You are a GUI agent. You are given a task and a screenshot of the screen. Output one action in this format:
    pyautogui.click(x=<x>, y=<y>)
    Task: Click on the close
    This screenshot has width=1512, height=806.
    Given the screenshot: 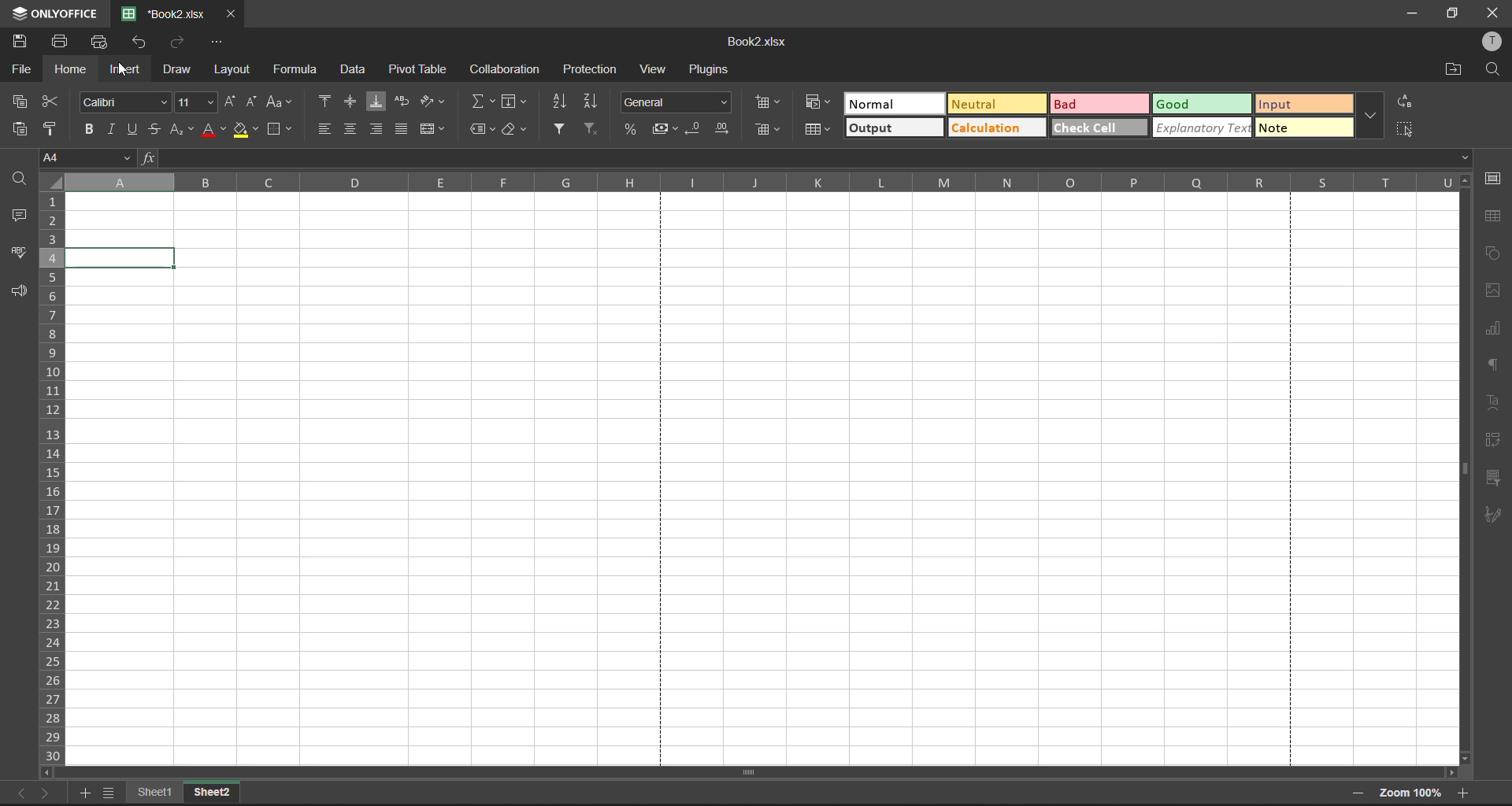 What is the action you would take?
    pyautogui.click(x=1495, y=12)
    